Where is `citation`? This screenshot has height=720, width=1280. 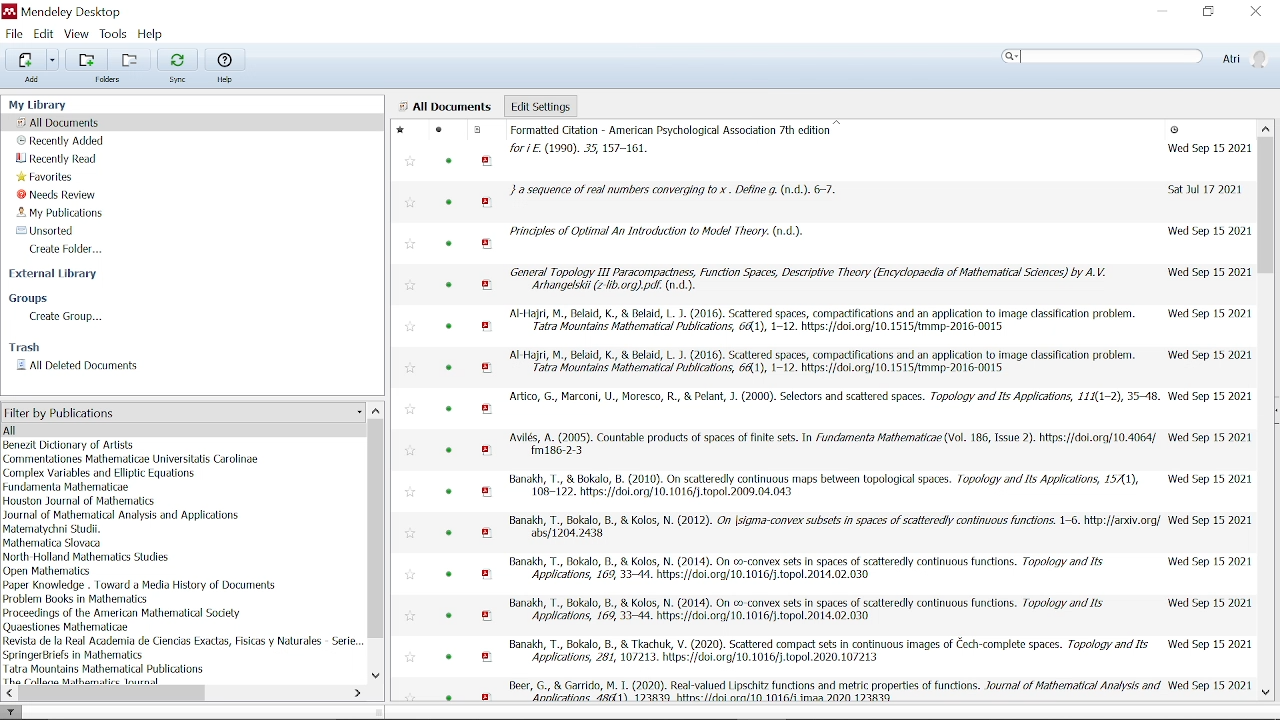
citation is located at coordinates (828, 487).